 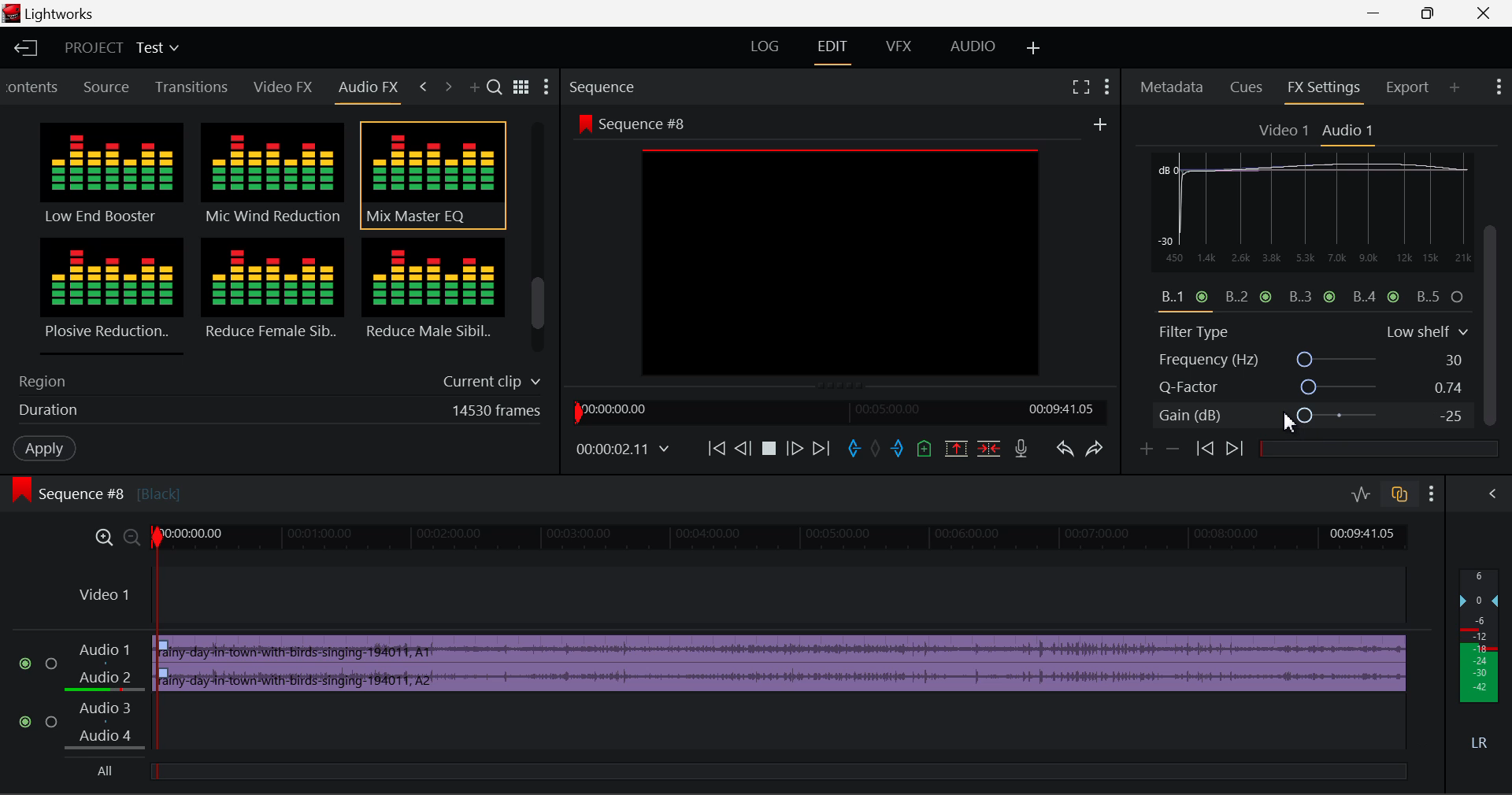 I want to click on Audio FX , so click(x=369, y=87).